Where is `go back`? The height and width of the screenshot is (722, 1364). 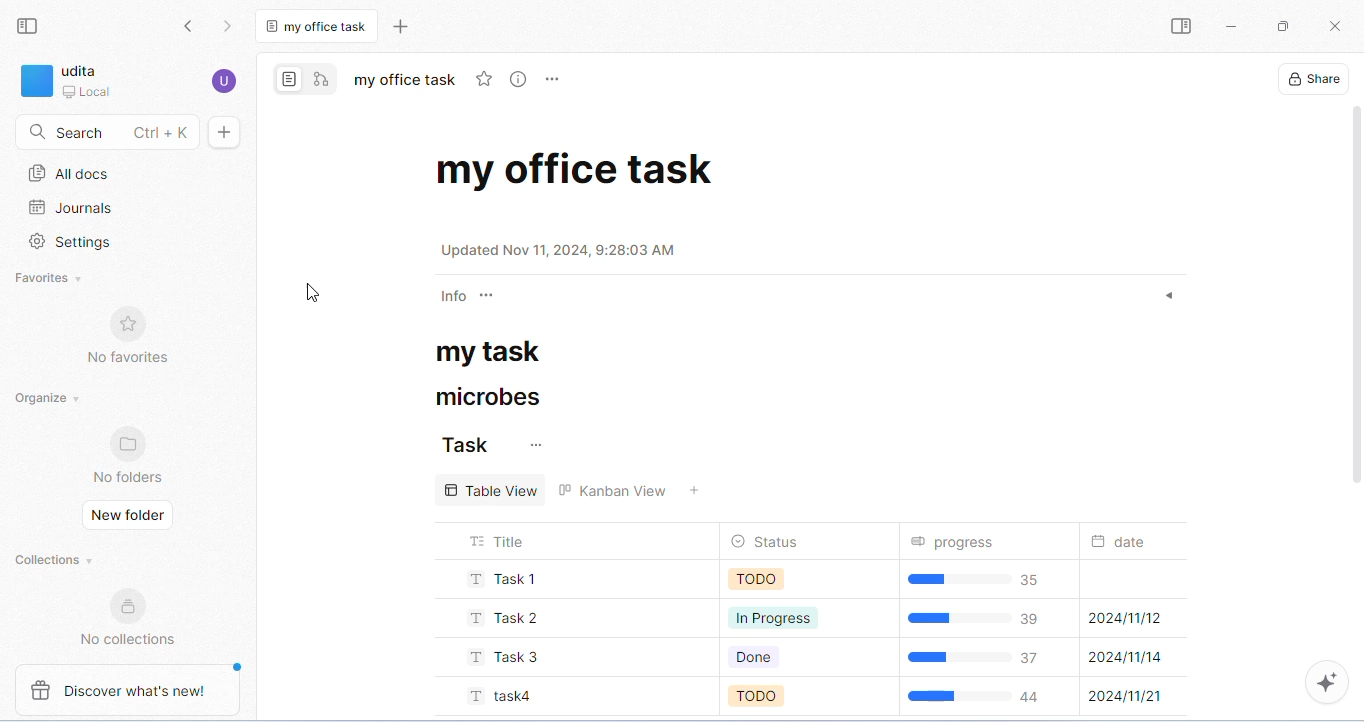
go back is located at coordinates (191, 28).